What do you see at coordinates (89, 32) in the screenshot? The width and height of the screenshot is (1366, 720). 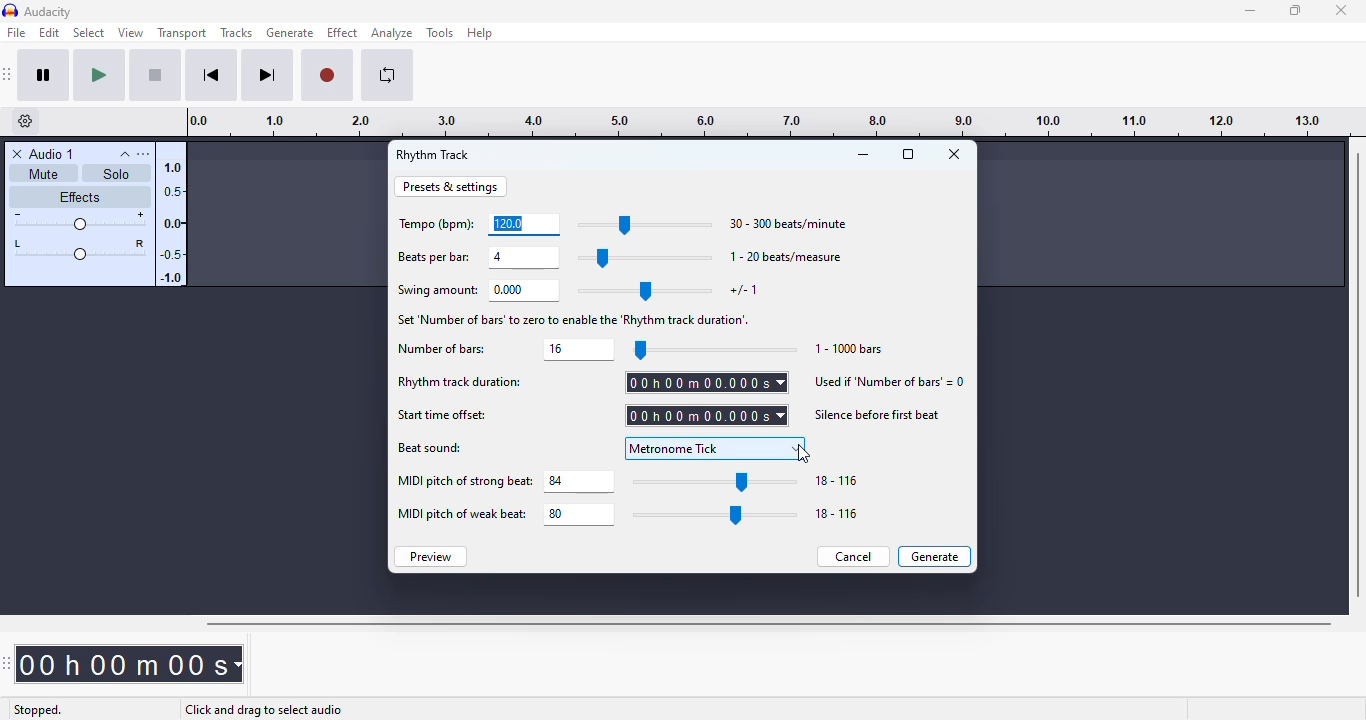 I see `select` at bounding box center [89, 32].